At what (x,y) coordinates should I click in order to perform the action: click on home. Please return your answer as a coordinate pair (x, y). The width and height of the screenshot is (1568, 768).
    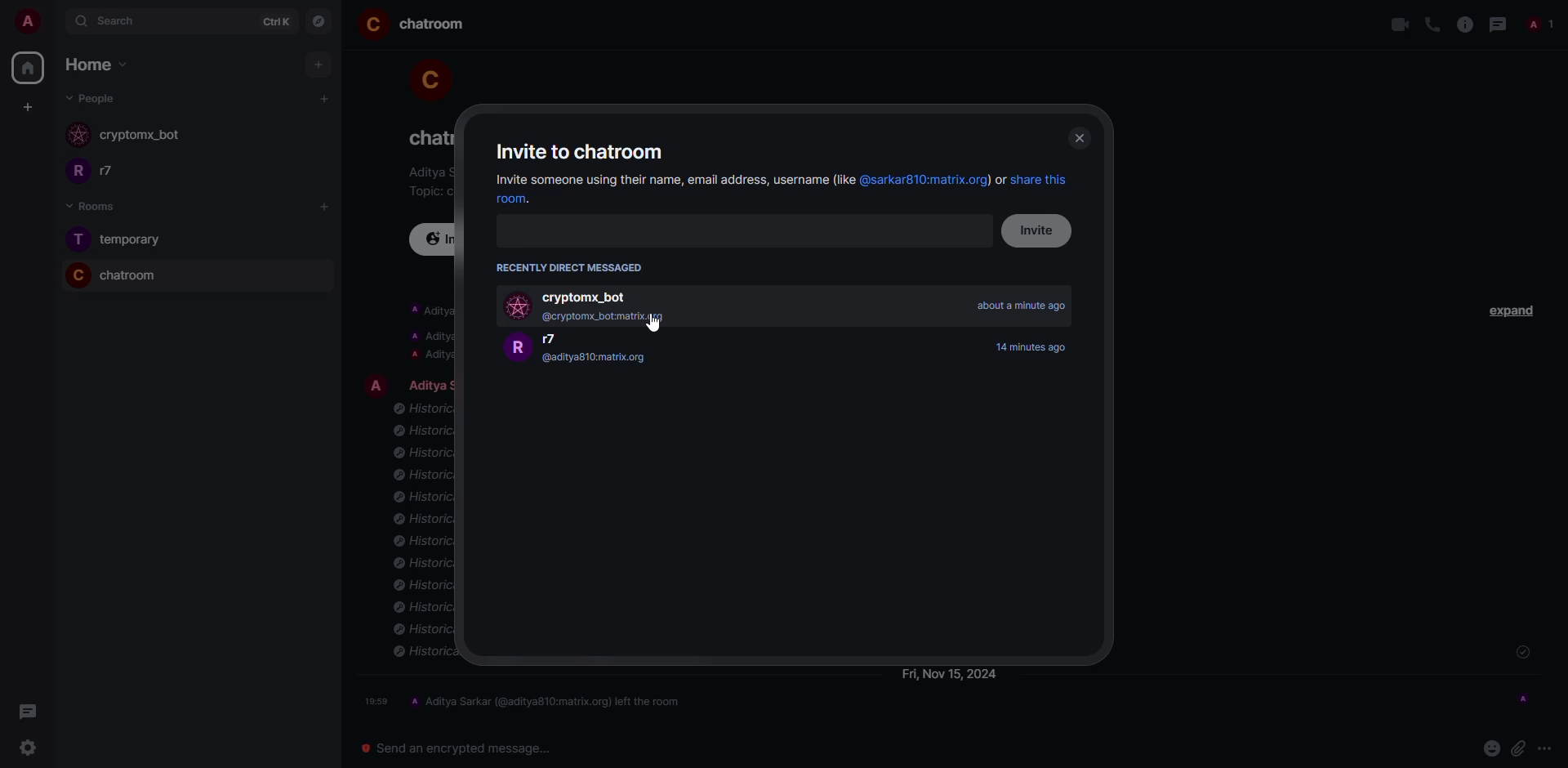
    Looking at the image, I should click on (27, 68).